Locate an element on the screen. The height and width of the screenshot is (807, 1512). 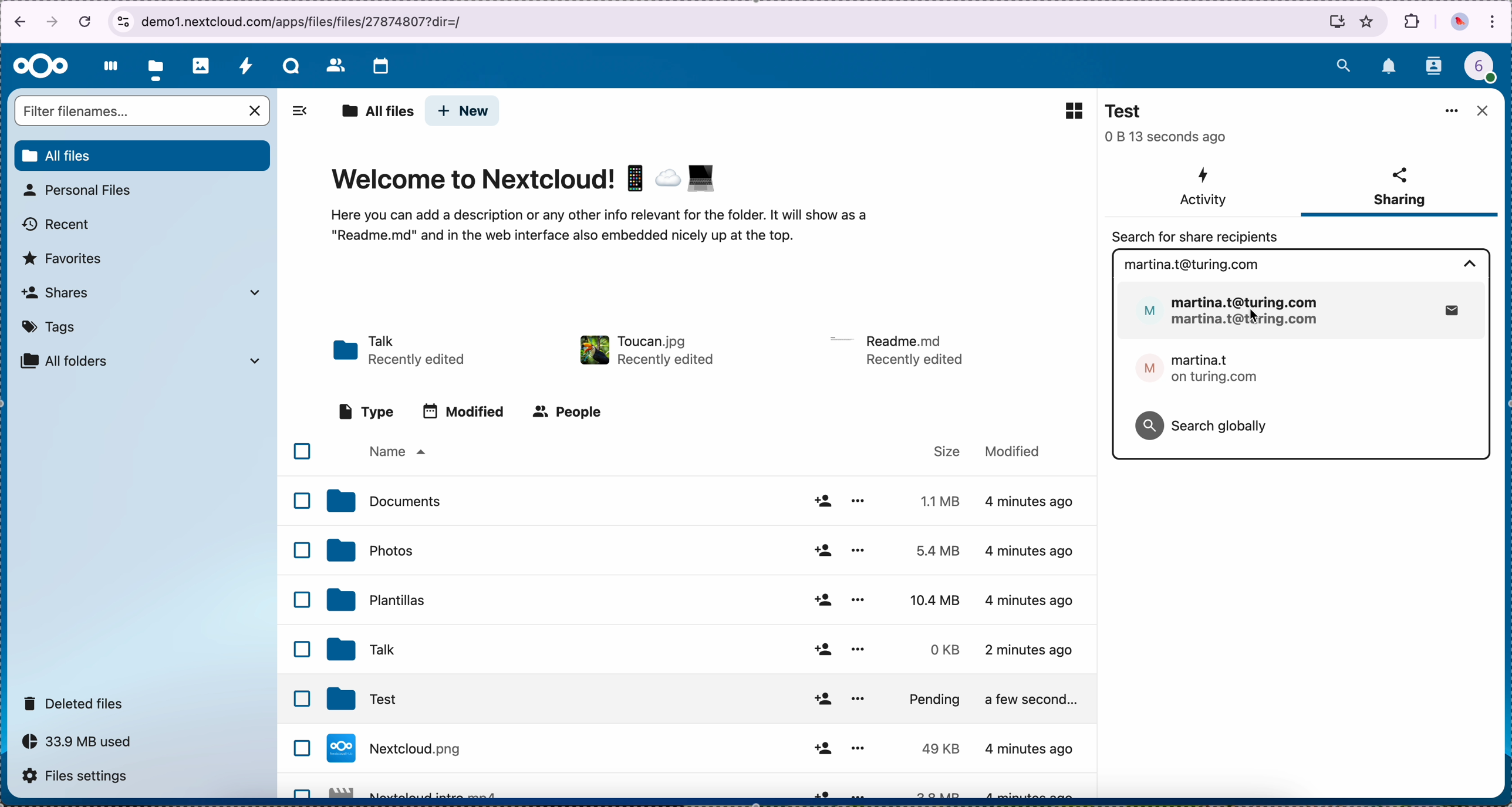
checkboxes is located at coordinates (296, 614).